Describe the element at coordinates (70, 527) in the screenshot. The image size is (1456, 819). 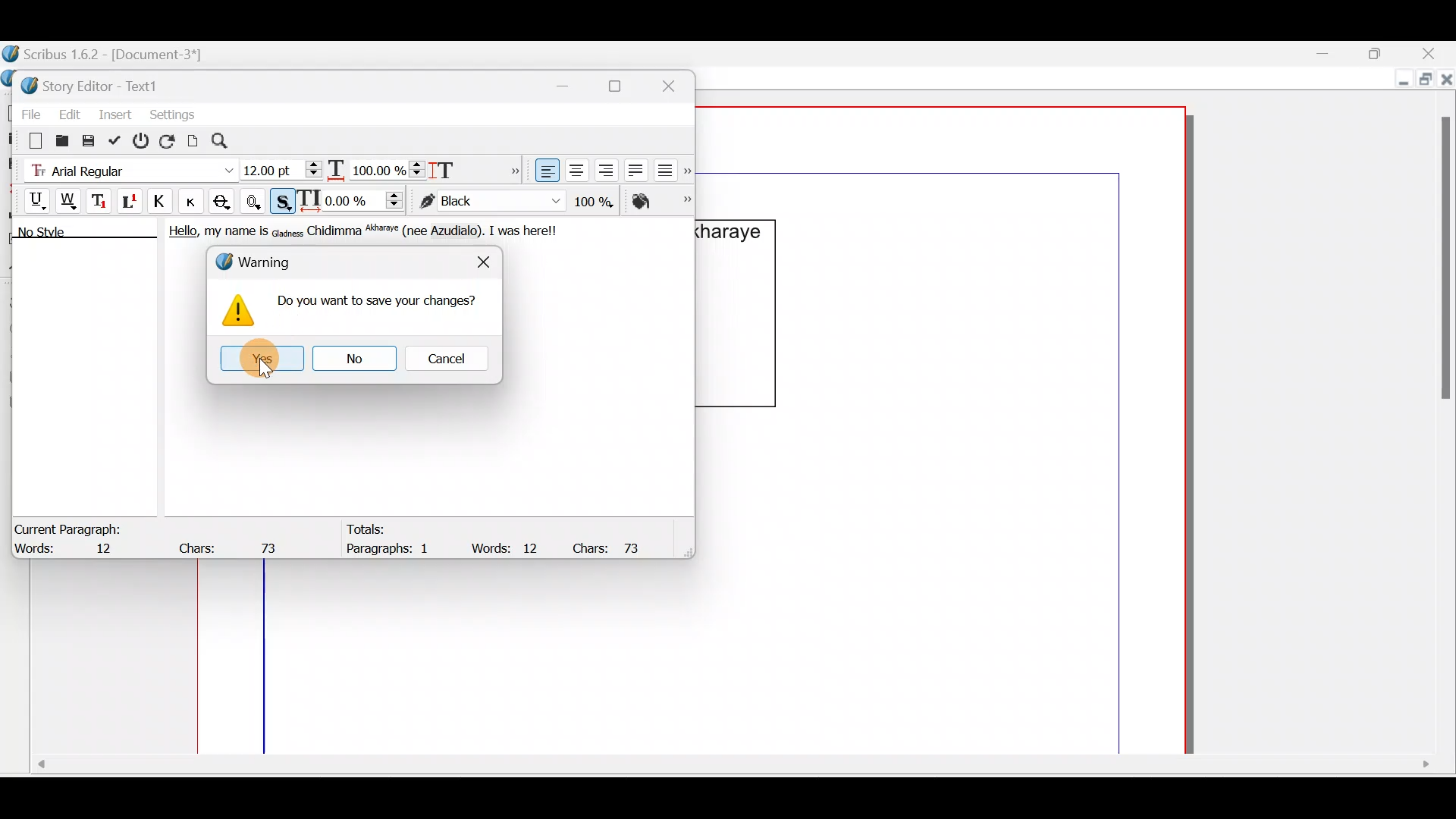
I see `Current Paragraph:` at that location.